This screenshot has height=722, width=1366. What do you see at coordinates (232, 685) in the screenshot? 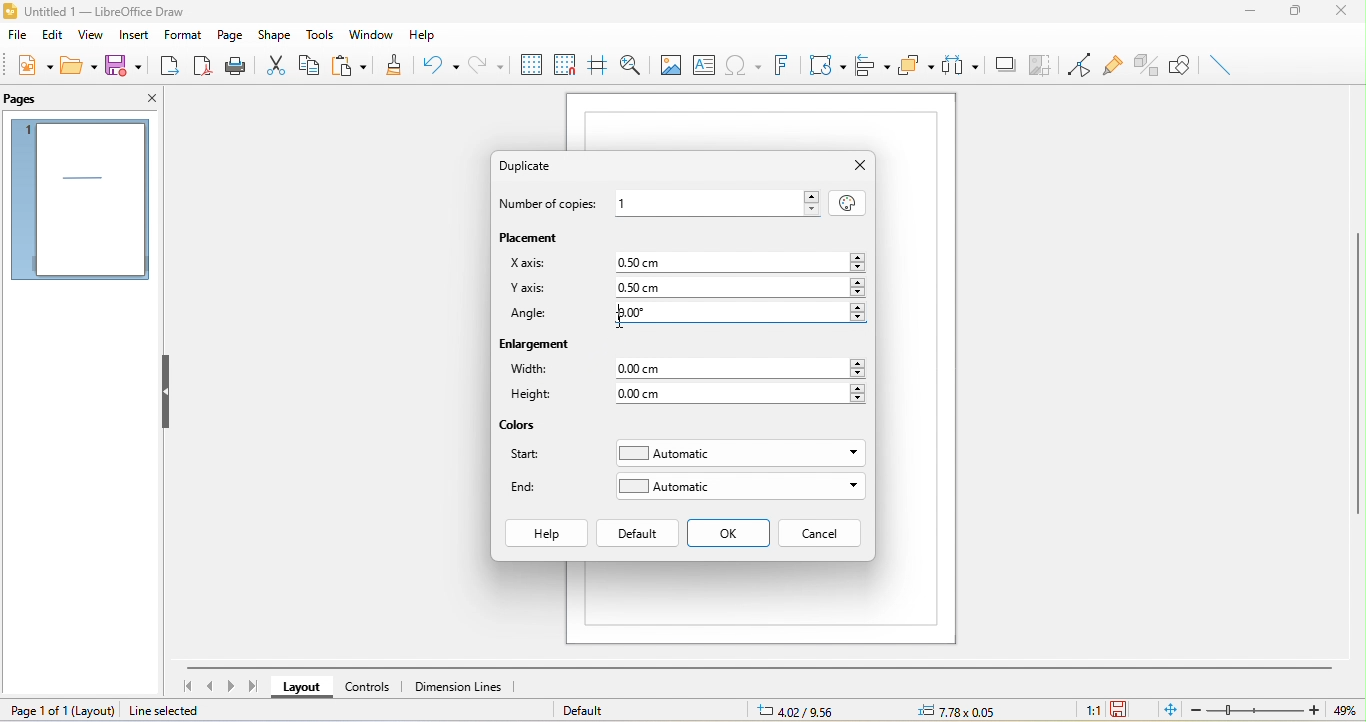
I see `next page` at bounding box center [232, 685].